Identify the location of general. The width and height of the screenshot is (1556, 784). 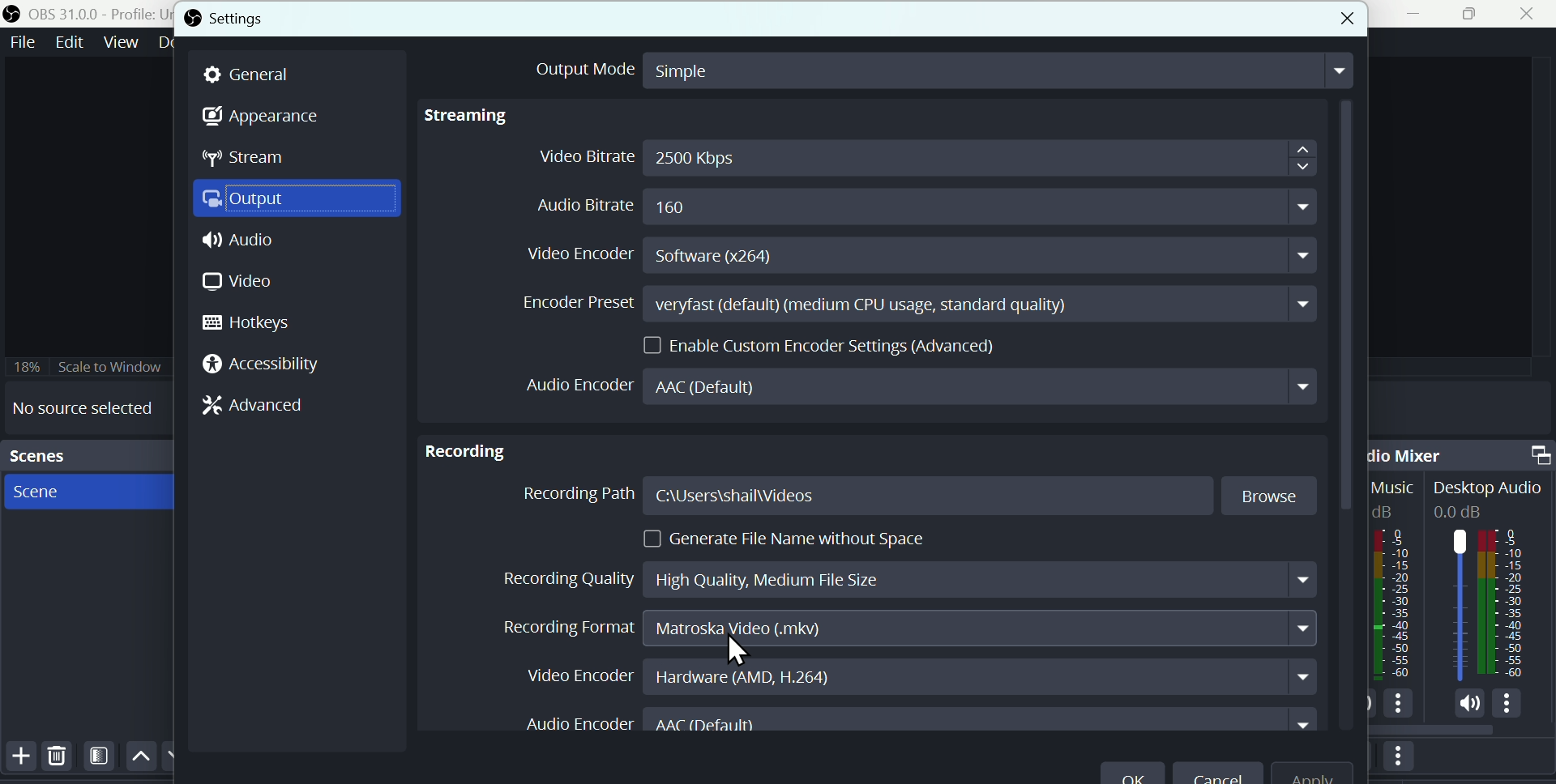
(267, 72).